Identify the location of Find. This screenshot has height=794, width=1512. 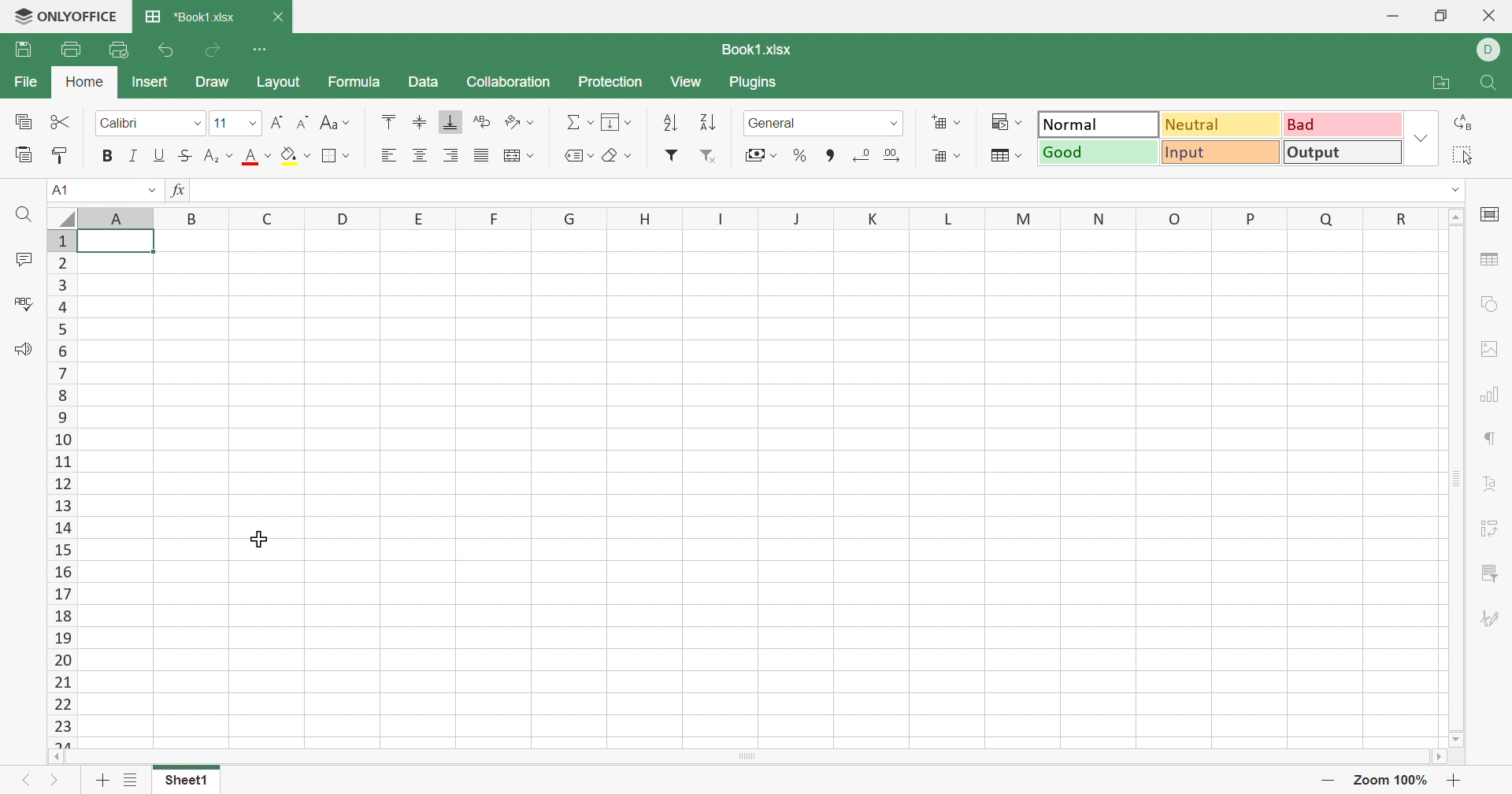
(1492, 82).